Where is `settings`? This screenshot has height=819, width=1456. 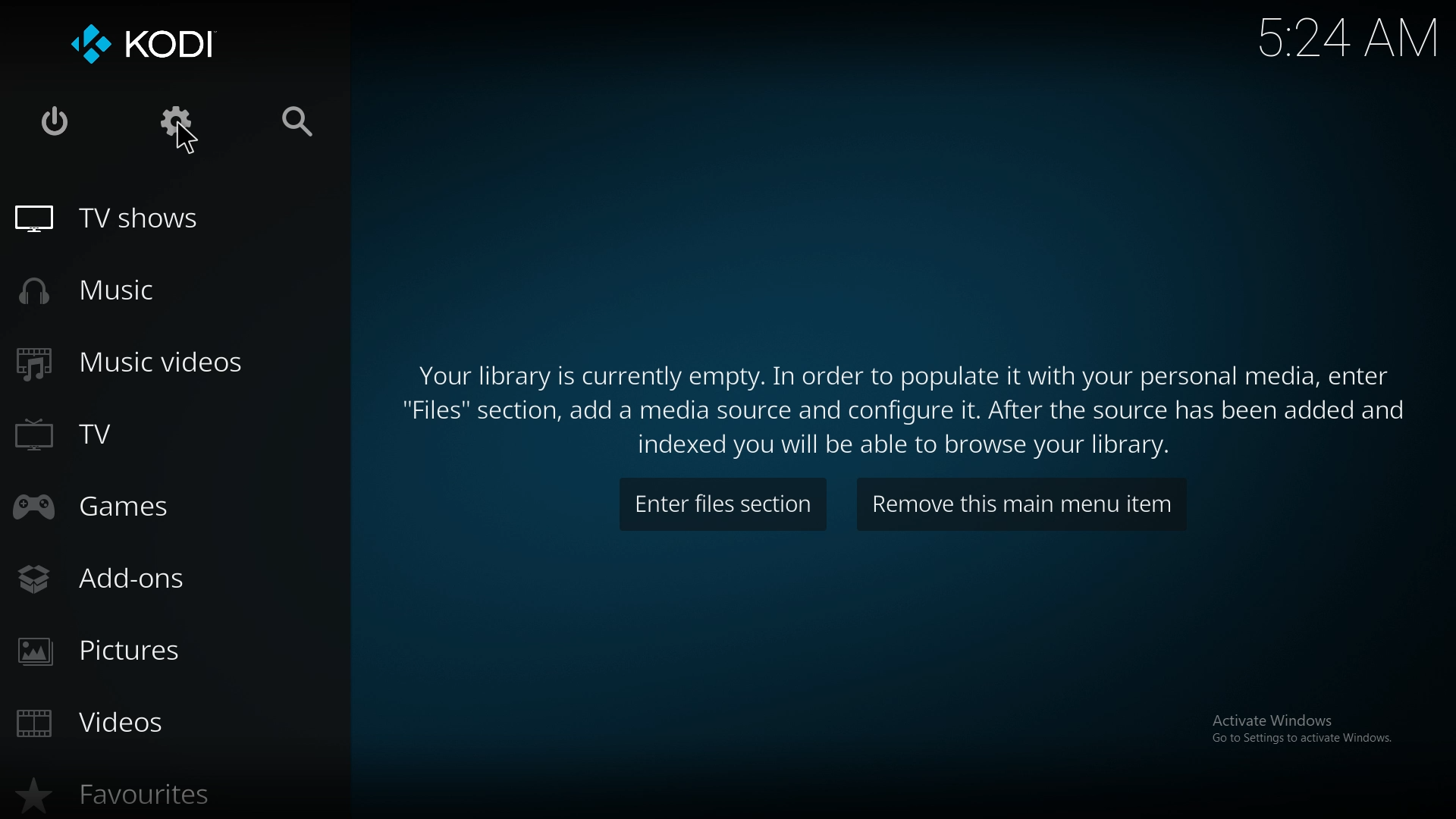 settings is located at coordinates (180, 118).